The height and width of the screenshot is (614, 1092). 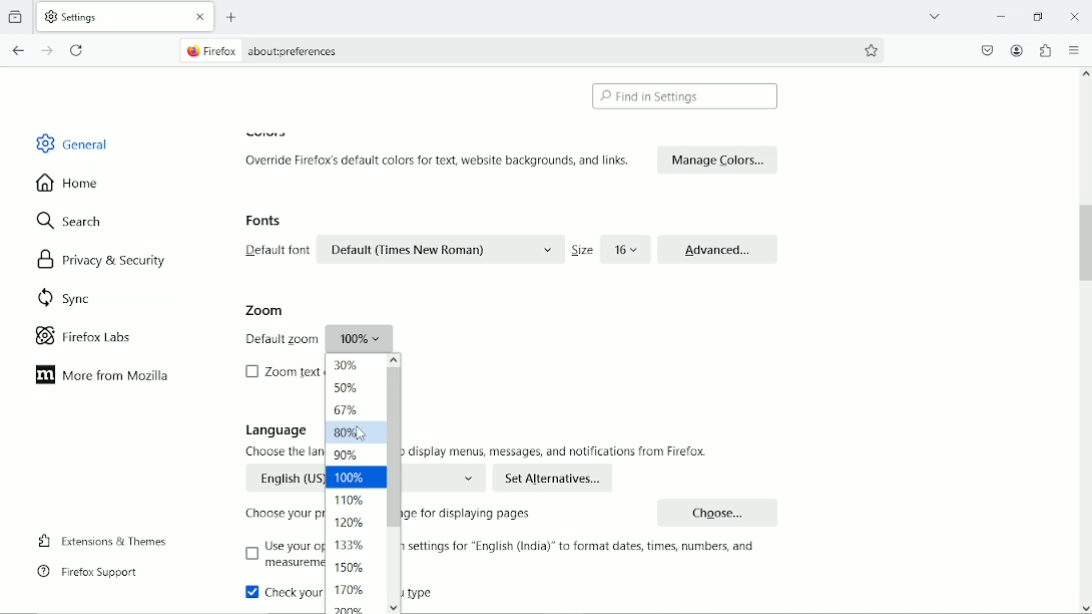 I want to click on minimize, so click(x=998, y=15).